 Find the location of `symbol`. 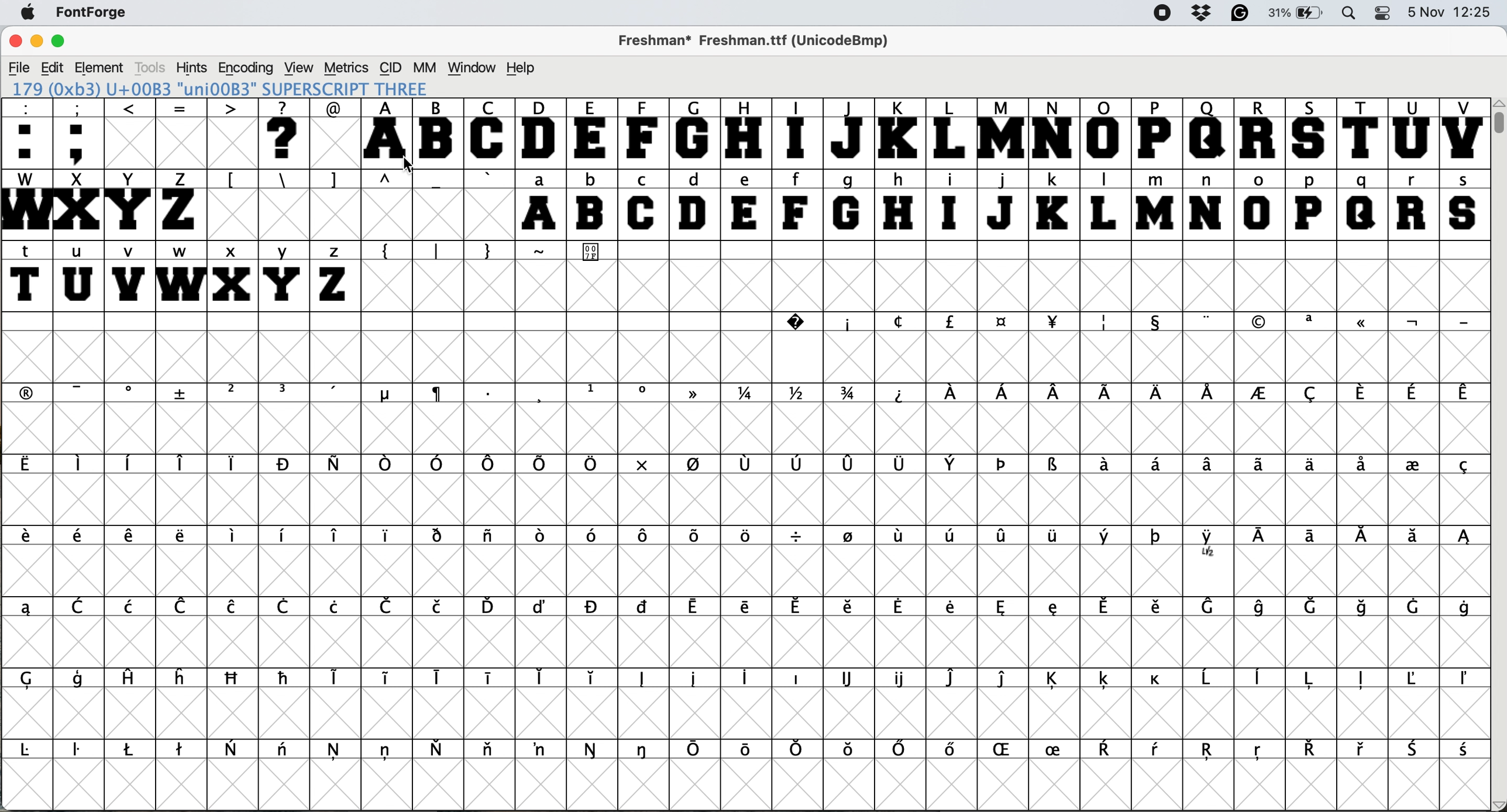

symbol is located at coordinates (594, 535).